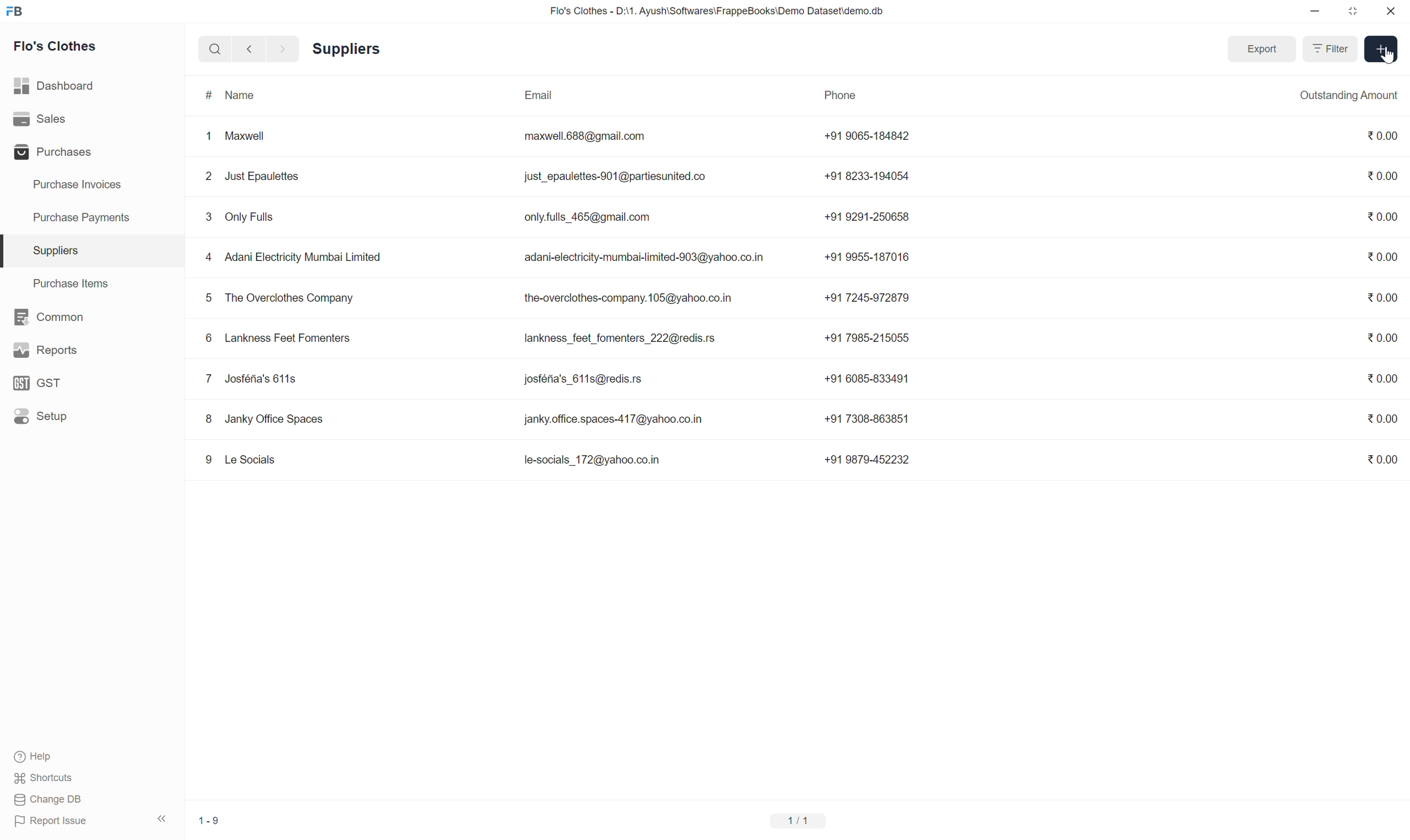 This screenshot has height=840, width=1410. I want to click on +91 9879-452232, so click(867, 459).